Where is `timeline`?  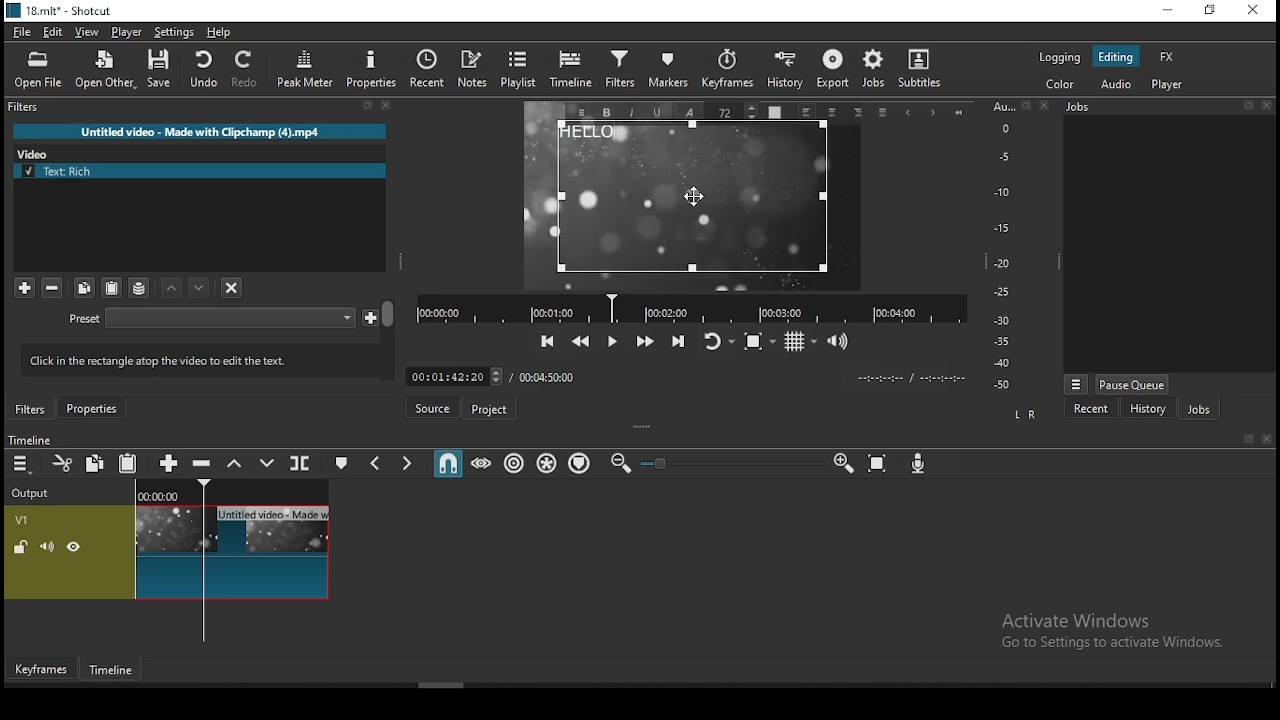 timeline is located at coordinates (571, 71).